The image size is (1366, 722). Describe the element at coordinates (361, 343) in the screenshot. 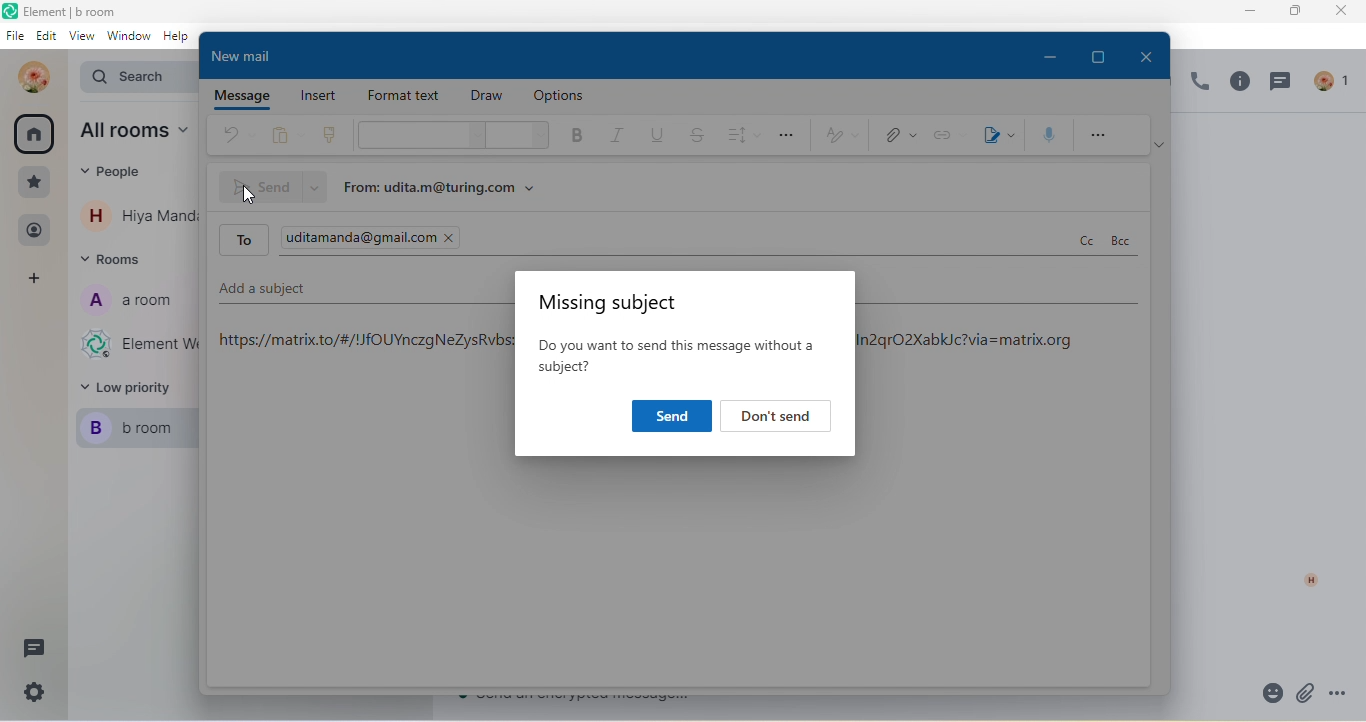

I see `https://matrix.to/#/!/fOUYnczgNeZysRvbs:matrix.org/$LqNJj5d 1 preoQx)VedLEsXJhnINwQoln2qrO2XabkJc?via=matrix.org` at that location.